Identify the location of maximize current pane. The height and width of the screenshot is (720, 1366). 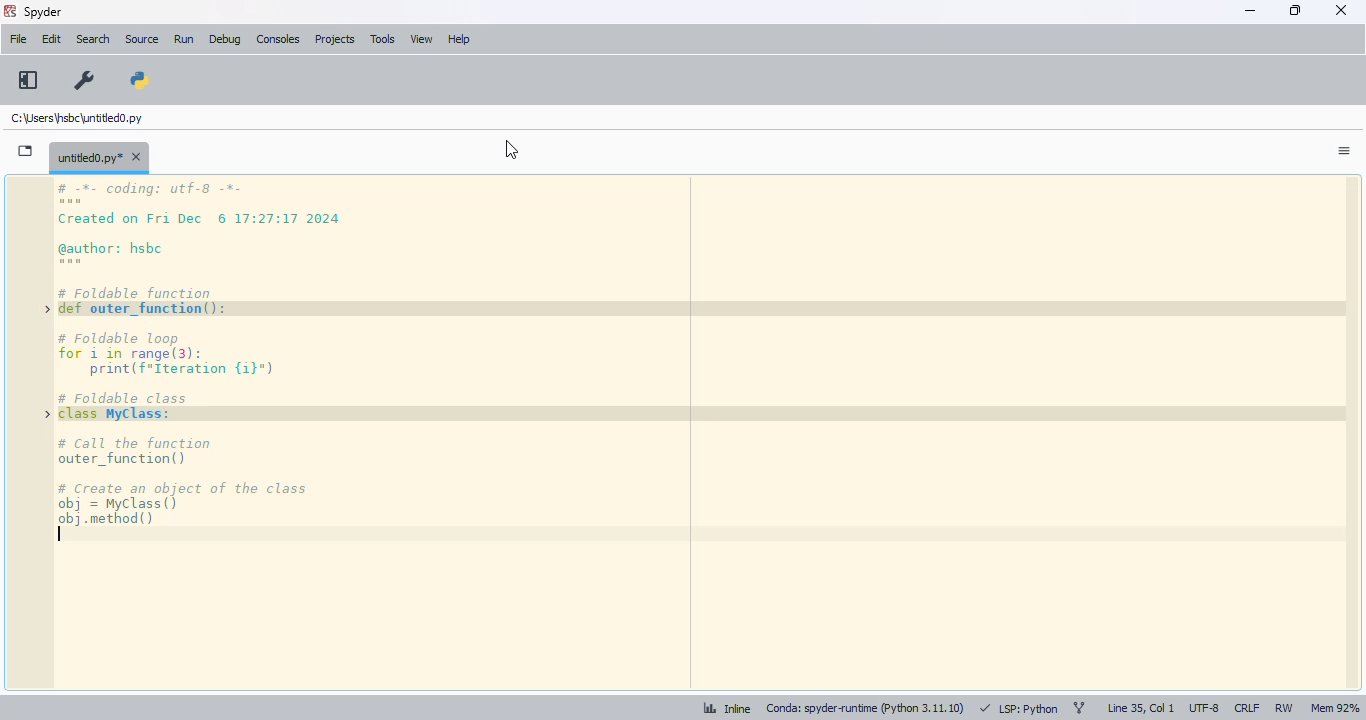
(28, 80).